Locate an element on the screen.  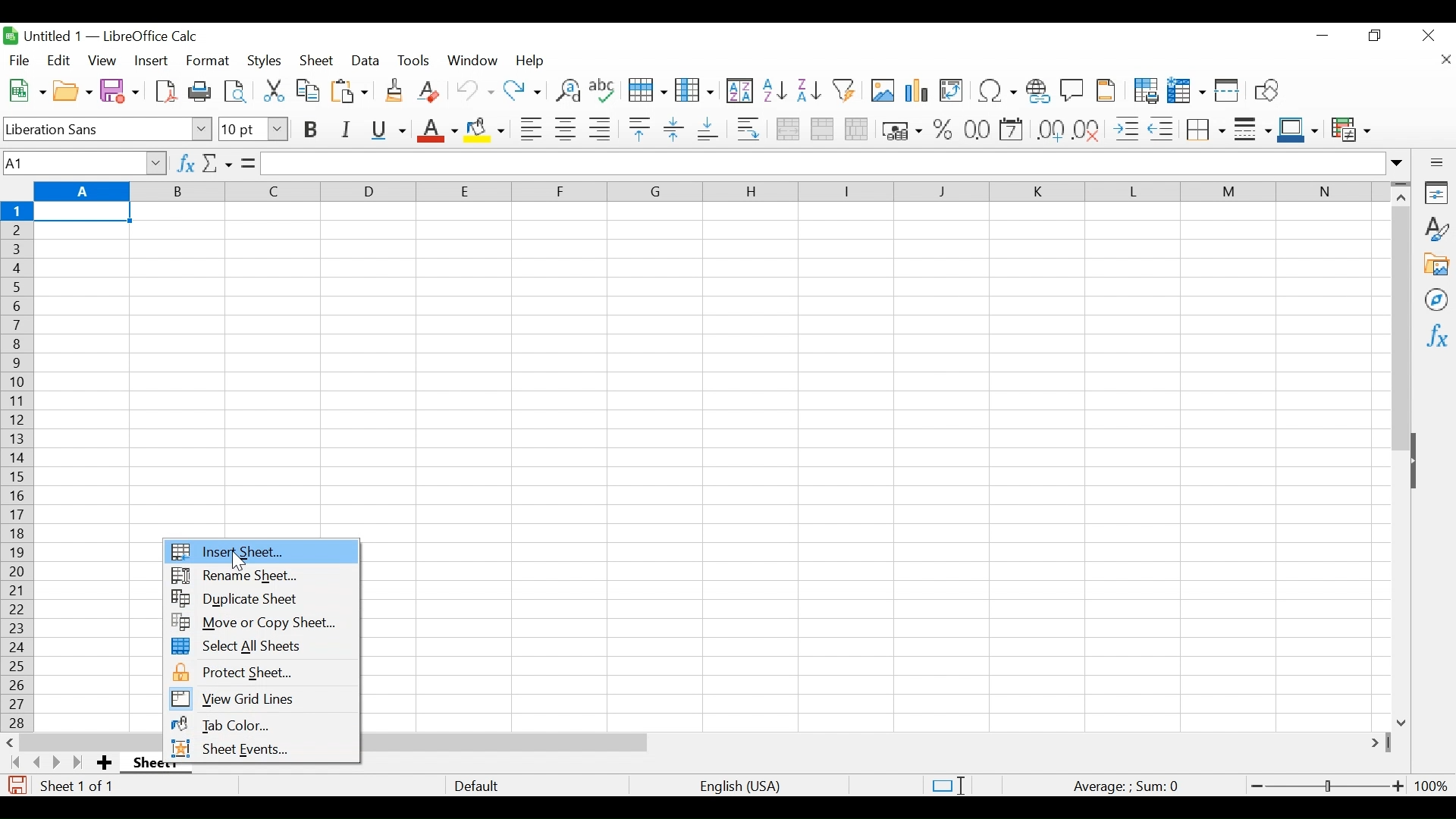
New is located at coordinates (26, 89).